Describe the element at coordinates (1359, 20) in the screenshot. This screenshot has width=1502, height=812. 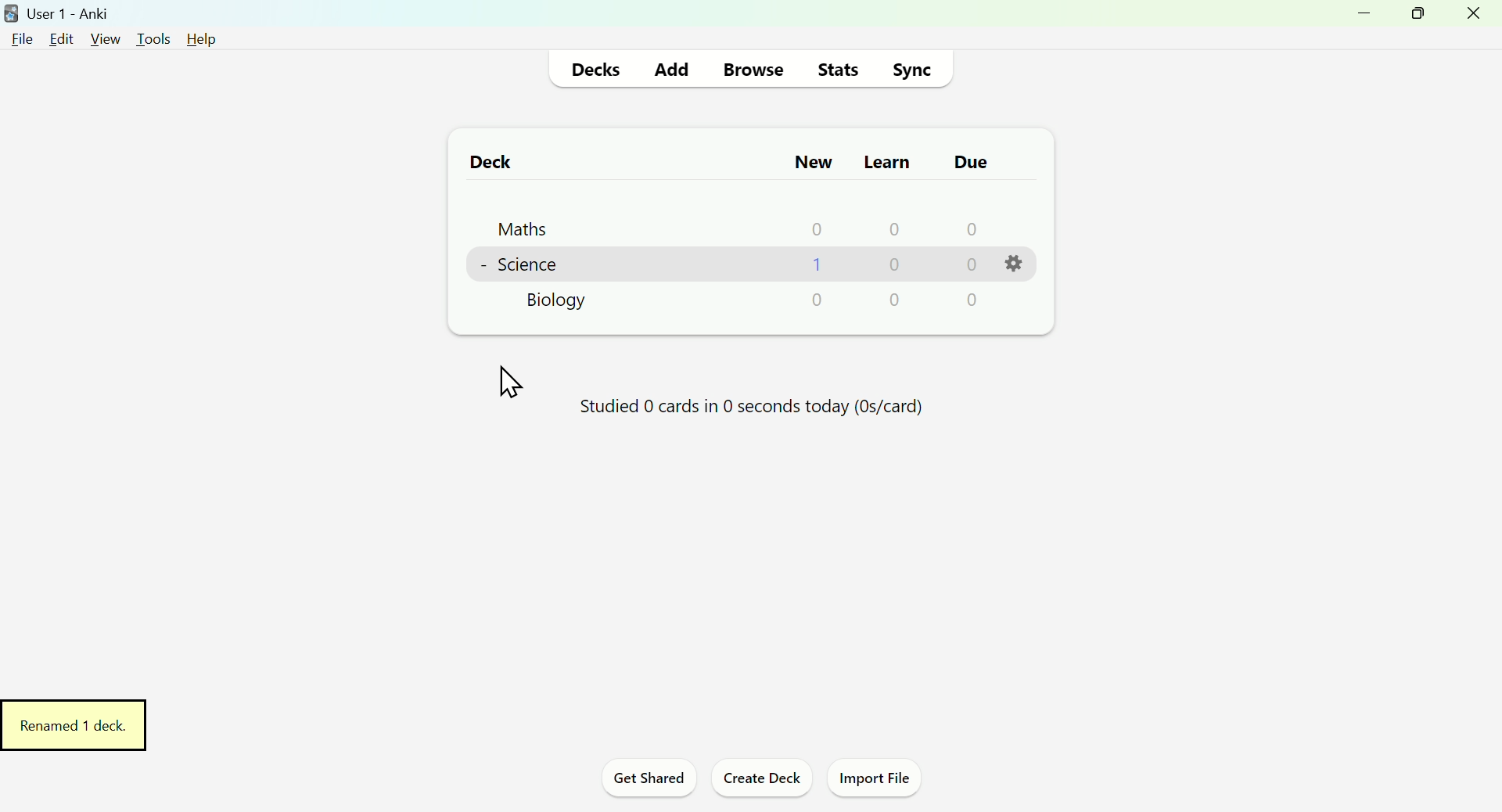
I see `Minimize` at that location.